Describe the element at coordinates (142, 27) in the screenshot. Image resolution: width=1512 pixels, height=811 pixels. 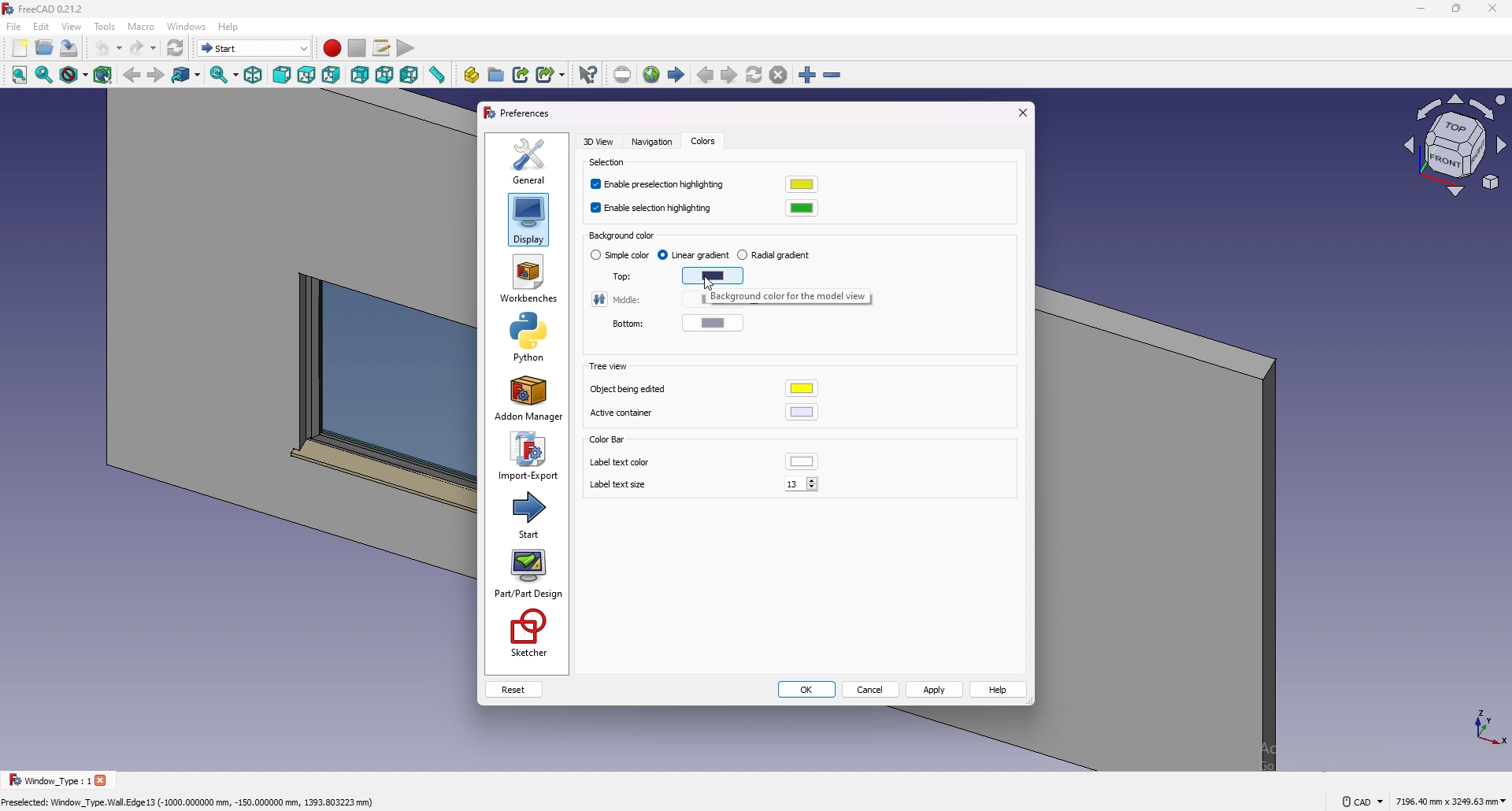
I see `macro` at that location.